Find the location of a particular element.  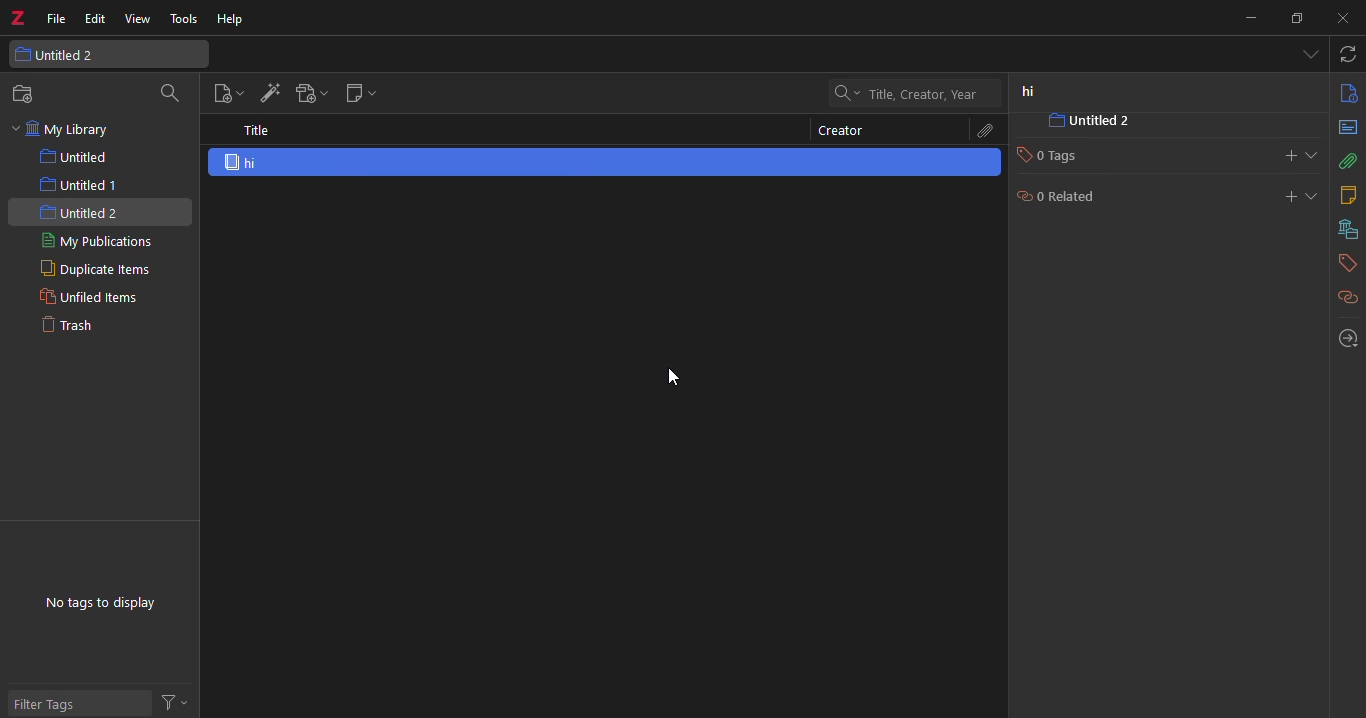

related is located at coordinates (1346, 297).